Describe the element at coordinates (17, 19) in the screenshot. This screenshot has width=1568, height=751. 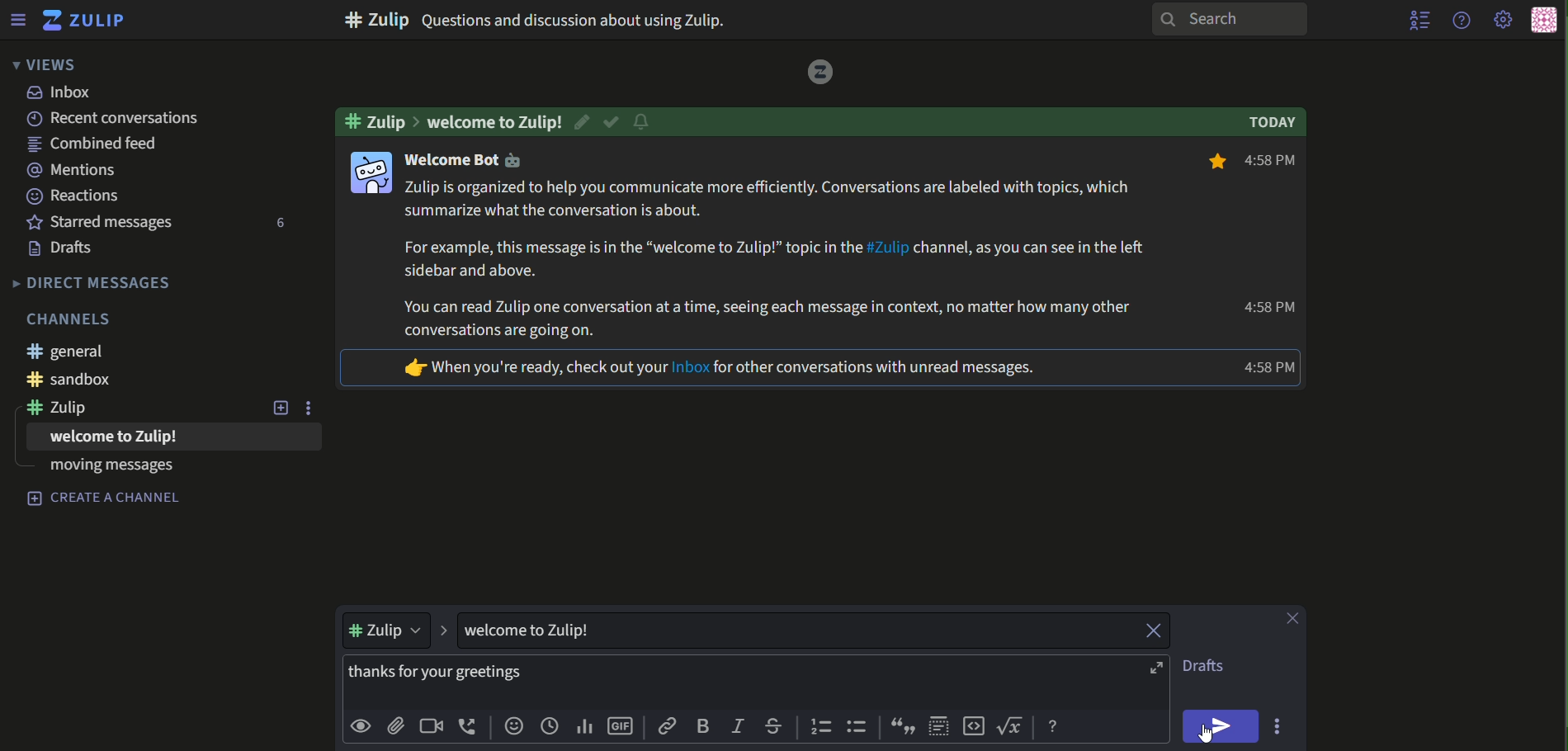
I see `Menu` at that location.